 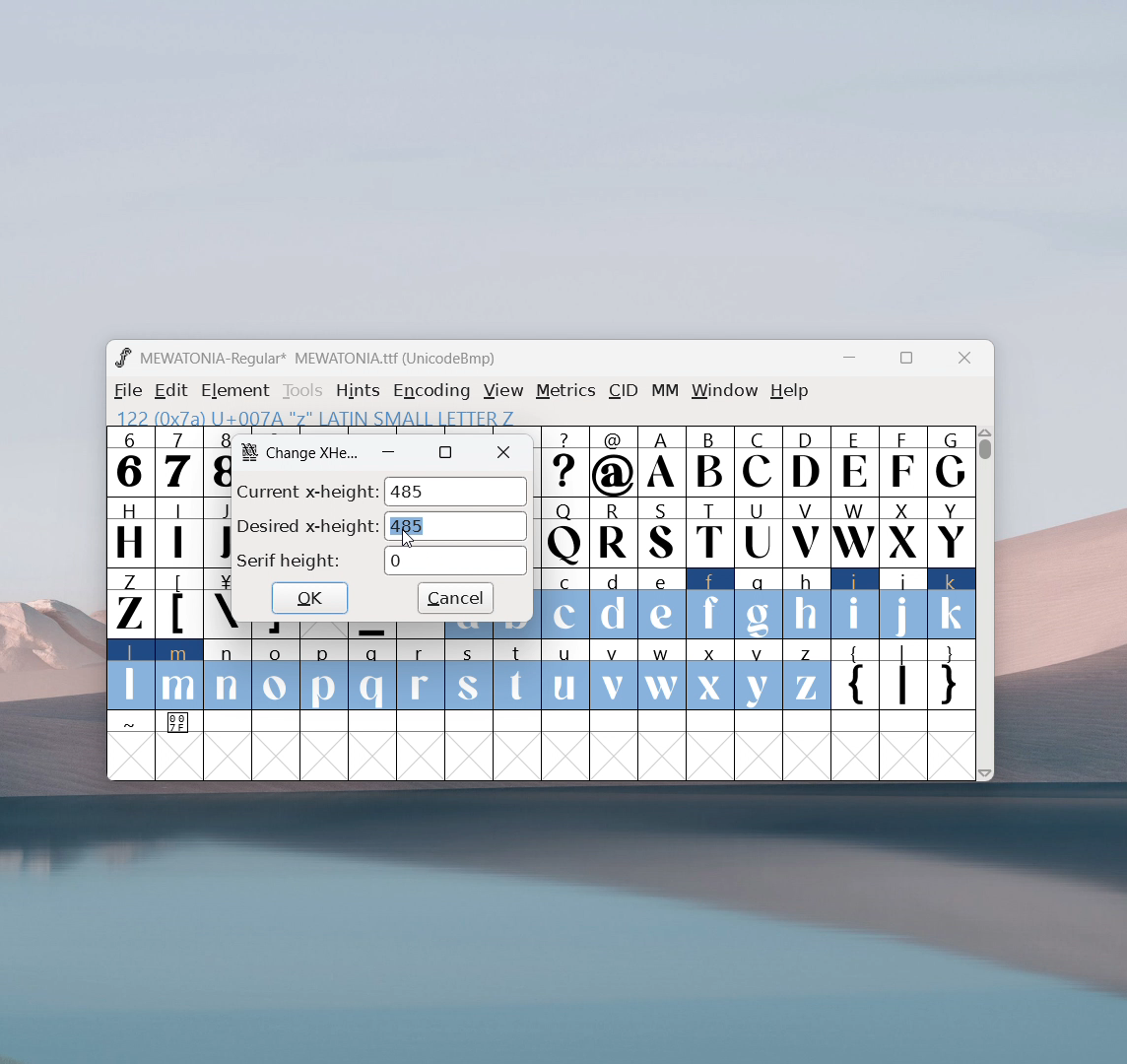 What do you see at coordinates (663, 462) in the screenshot?
I see `A` at bounding box center [663, 462].